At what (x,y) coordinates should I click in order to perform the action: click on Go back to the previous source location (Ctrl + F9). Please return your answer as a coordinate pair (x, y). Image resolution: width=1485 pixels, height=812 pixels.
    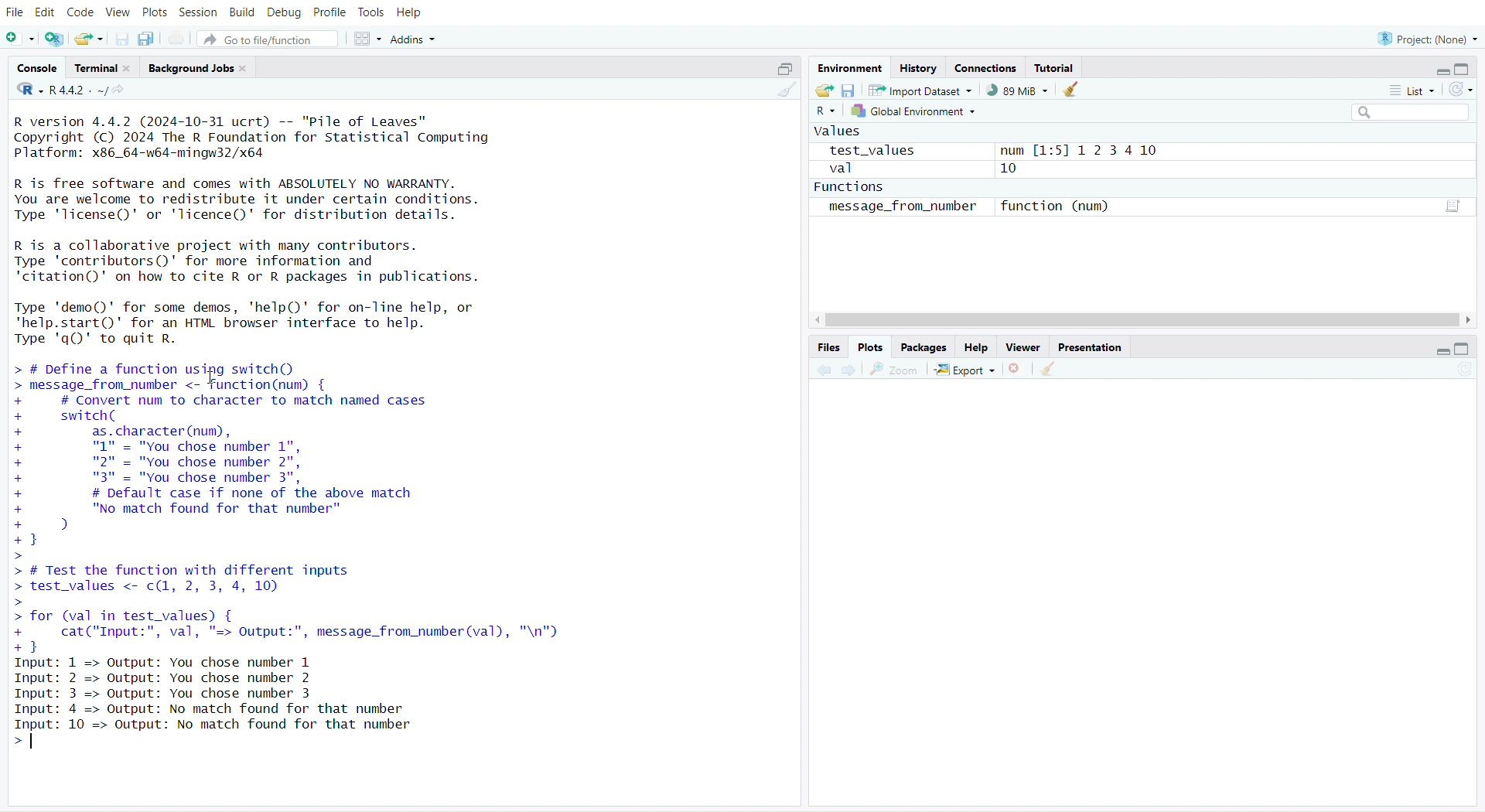
    Looking at the image, I should click on (823, 368).